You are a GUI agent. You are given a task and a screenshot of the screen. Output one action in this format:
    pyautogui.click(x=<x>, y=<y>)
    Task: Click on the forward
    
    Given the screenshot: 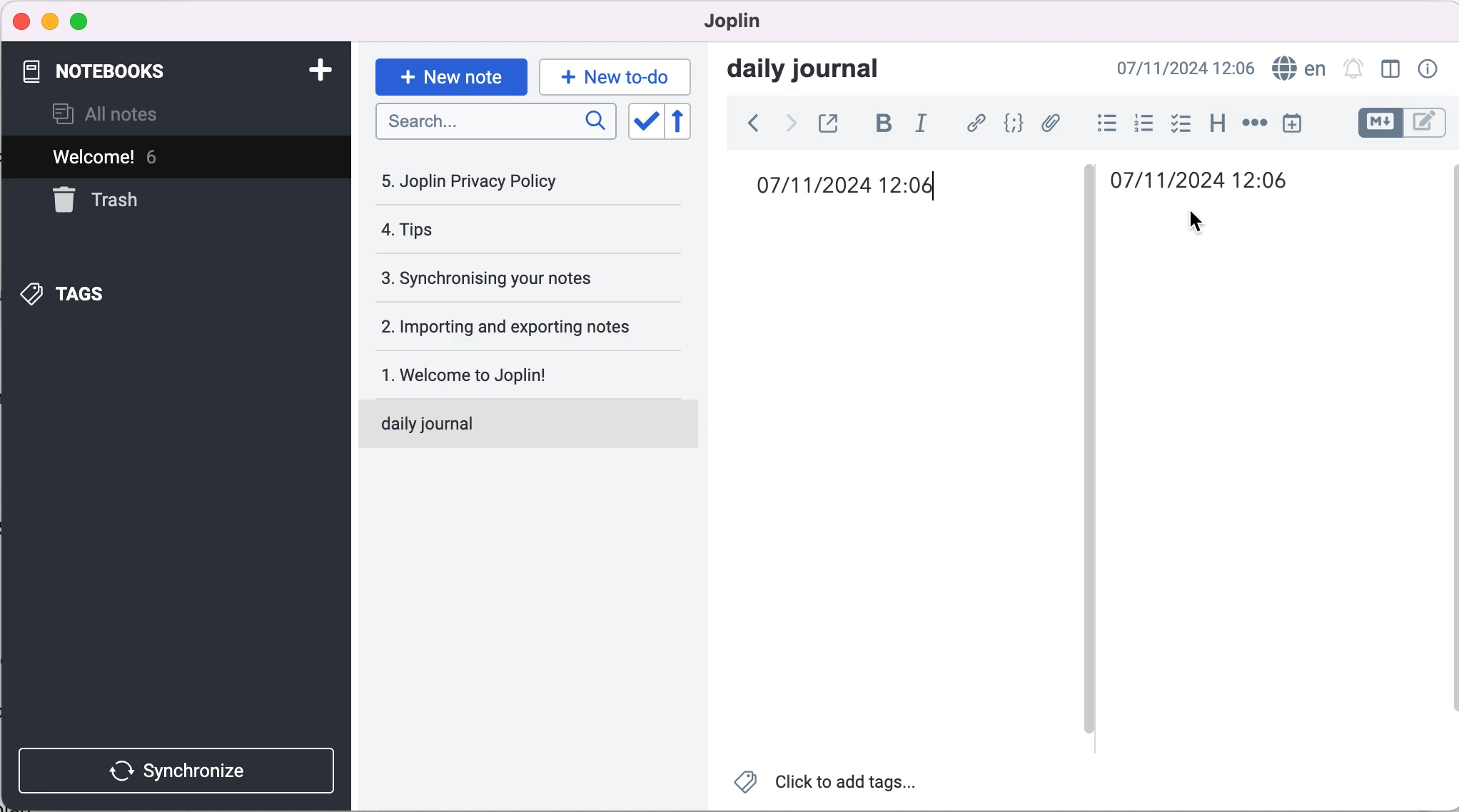 What is the action you would take?
    pyautogui.click(x=789, y=123)
    